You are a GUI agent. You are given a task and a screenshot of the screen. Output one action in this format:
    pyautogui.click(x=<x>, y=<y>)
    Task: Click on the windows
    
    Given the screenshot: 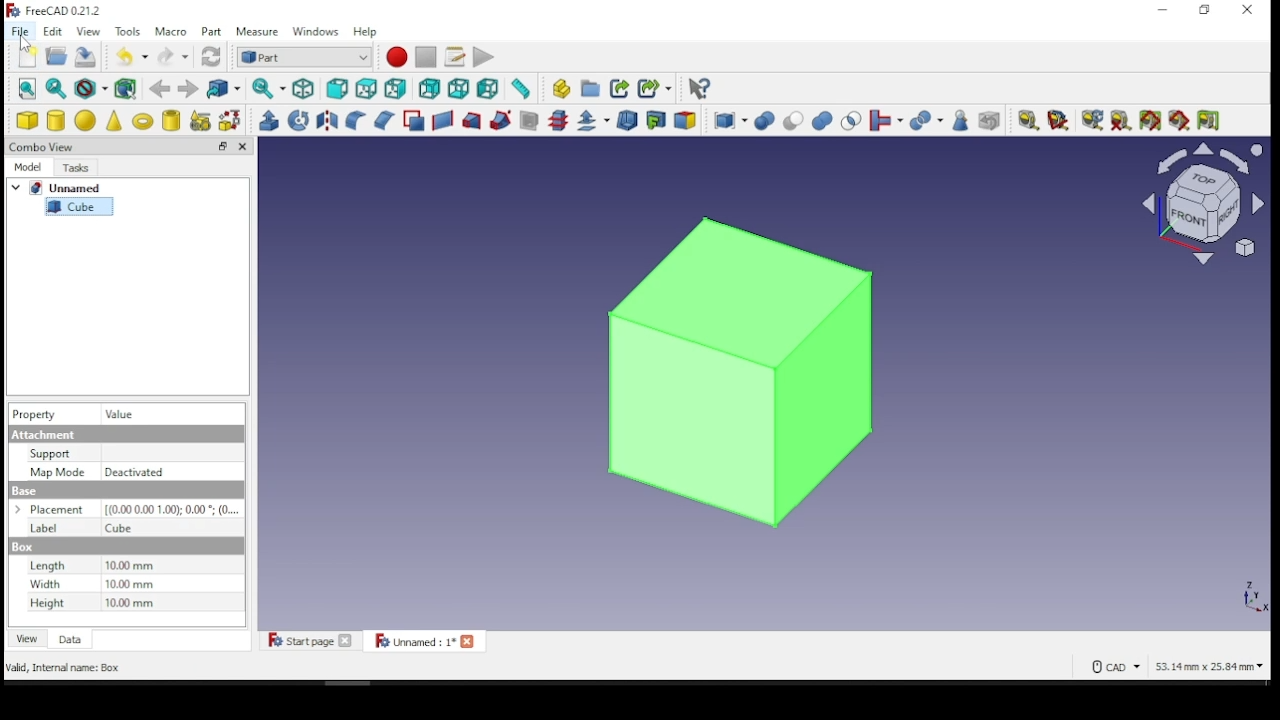 What is the action you would take?
    pyautogui.click(x=317, y=33)
    